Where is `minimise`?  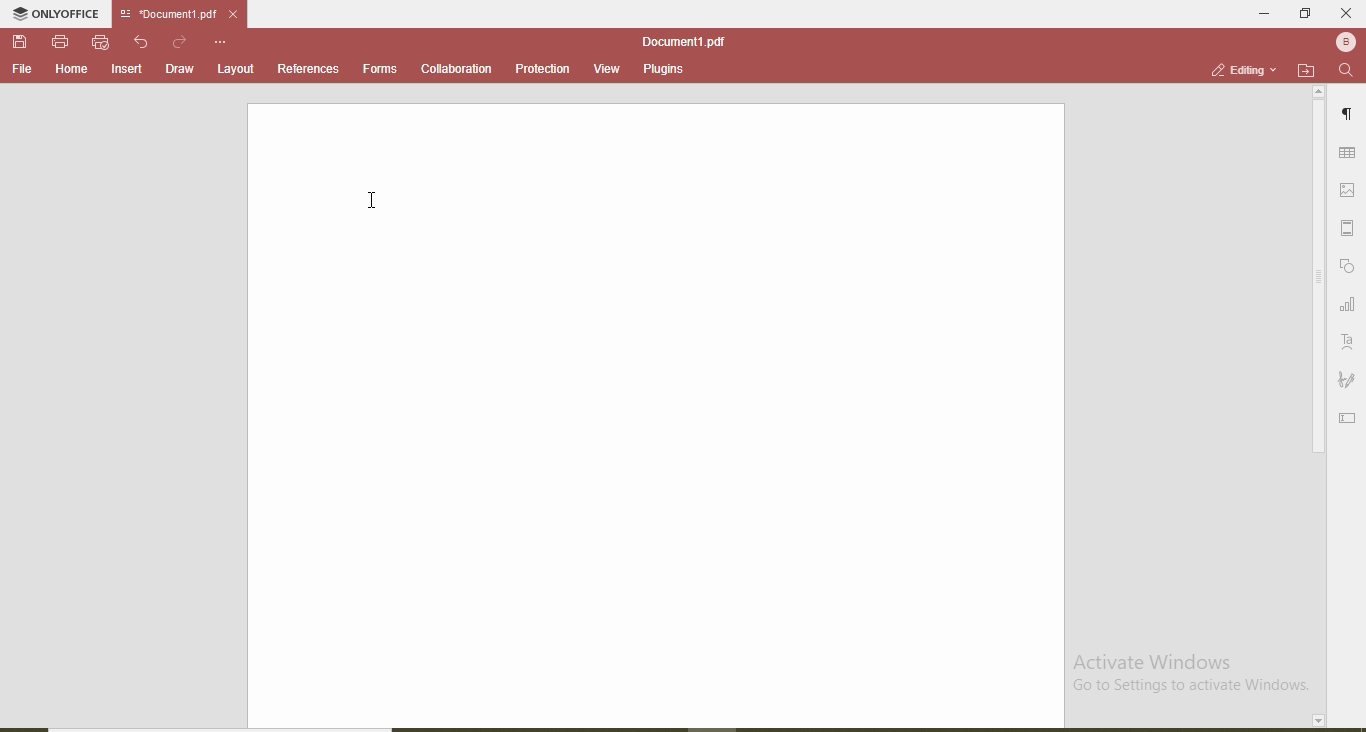
minimise is located at coordinates (1258, 12).